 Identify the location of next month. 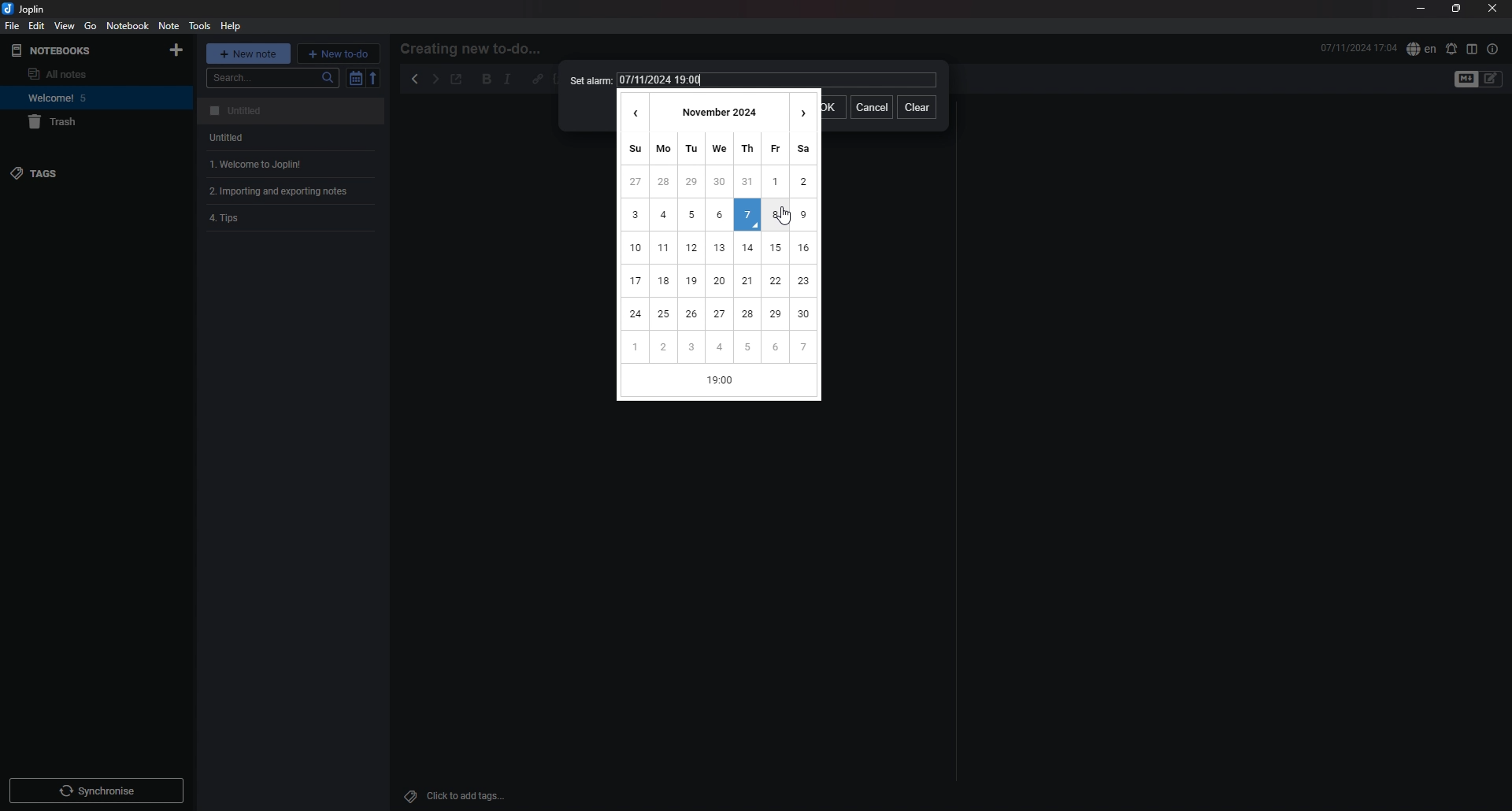
(804, 110).